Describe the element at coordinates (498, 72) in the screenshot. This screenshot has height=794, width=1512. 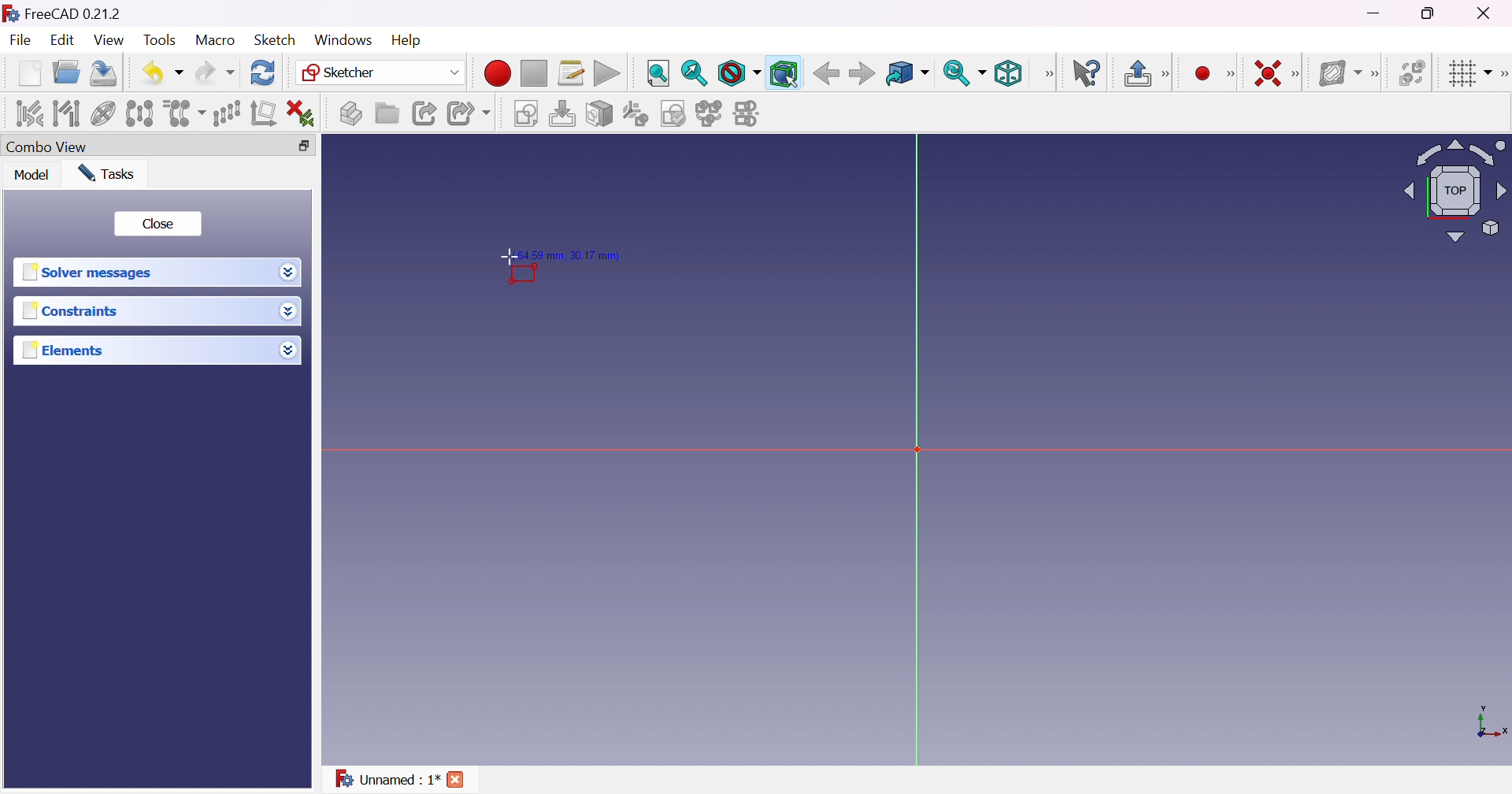
I see `Macro recording...` at that location.